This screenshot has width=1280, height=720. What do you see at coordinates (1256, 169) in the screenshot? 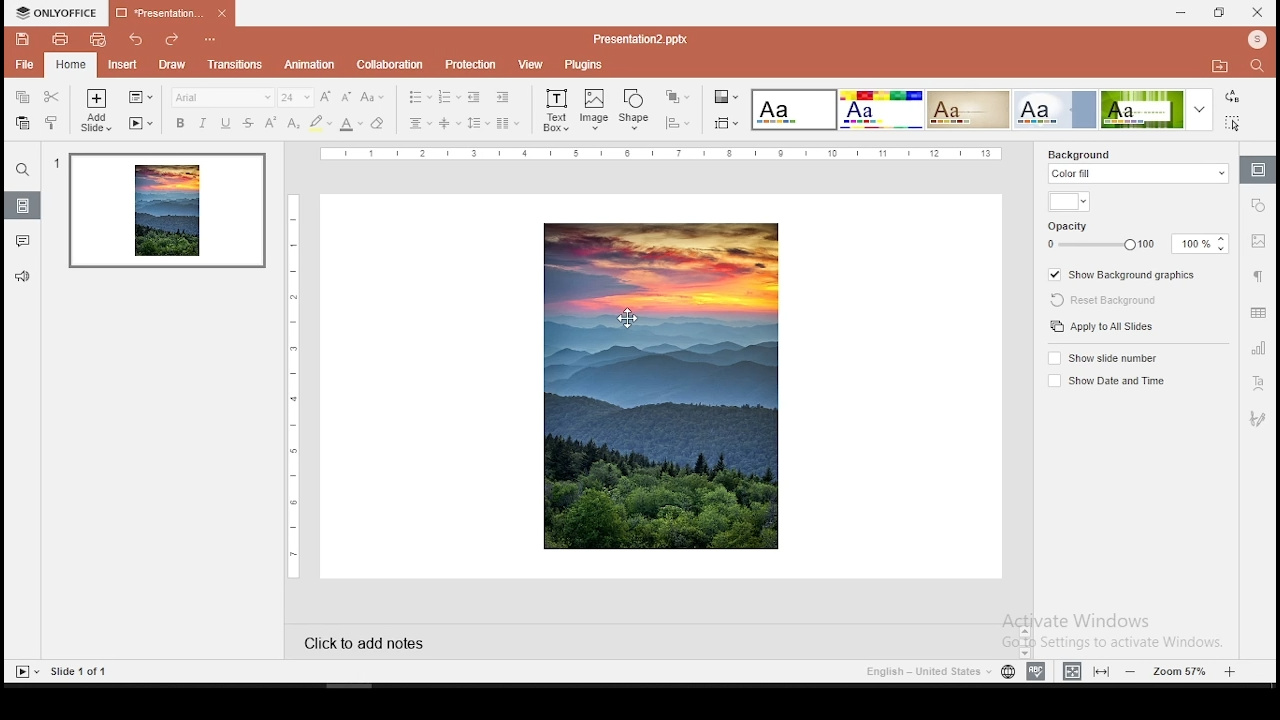
I see `slide settings` at bounding box center [1256, 169].